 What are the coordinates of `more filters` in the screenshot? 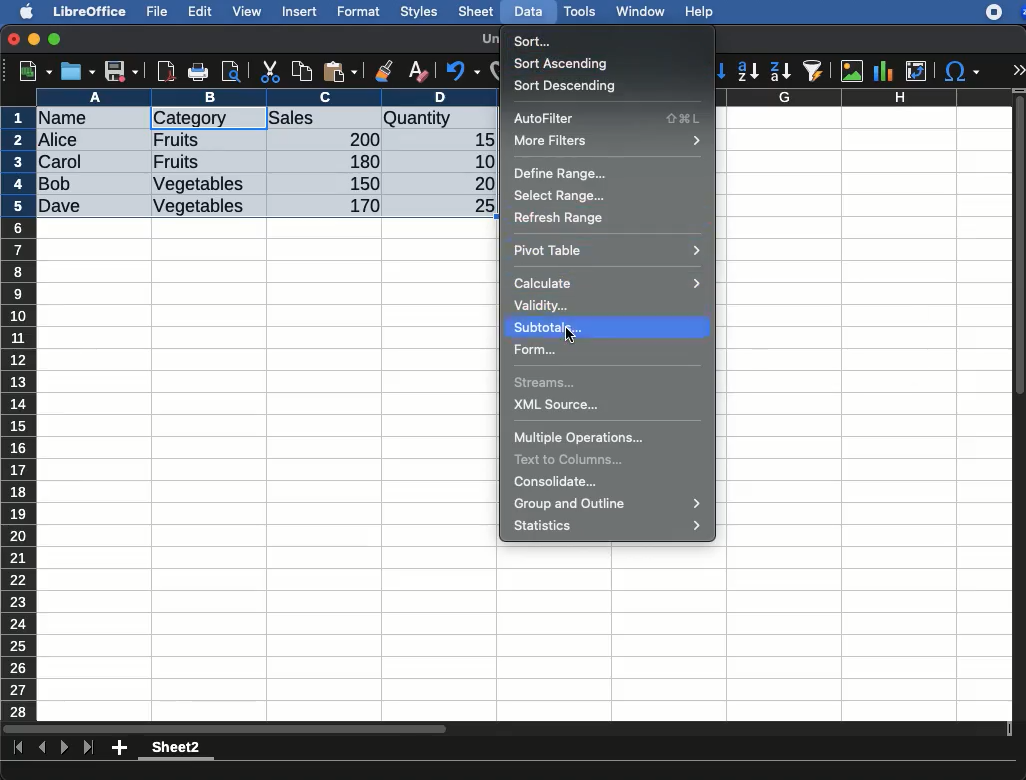 It's located at (607, 142).